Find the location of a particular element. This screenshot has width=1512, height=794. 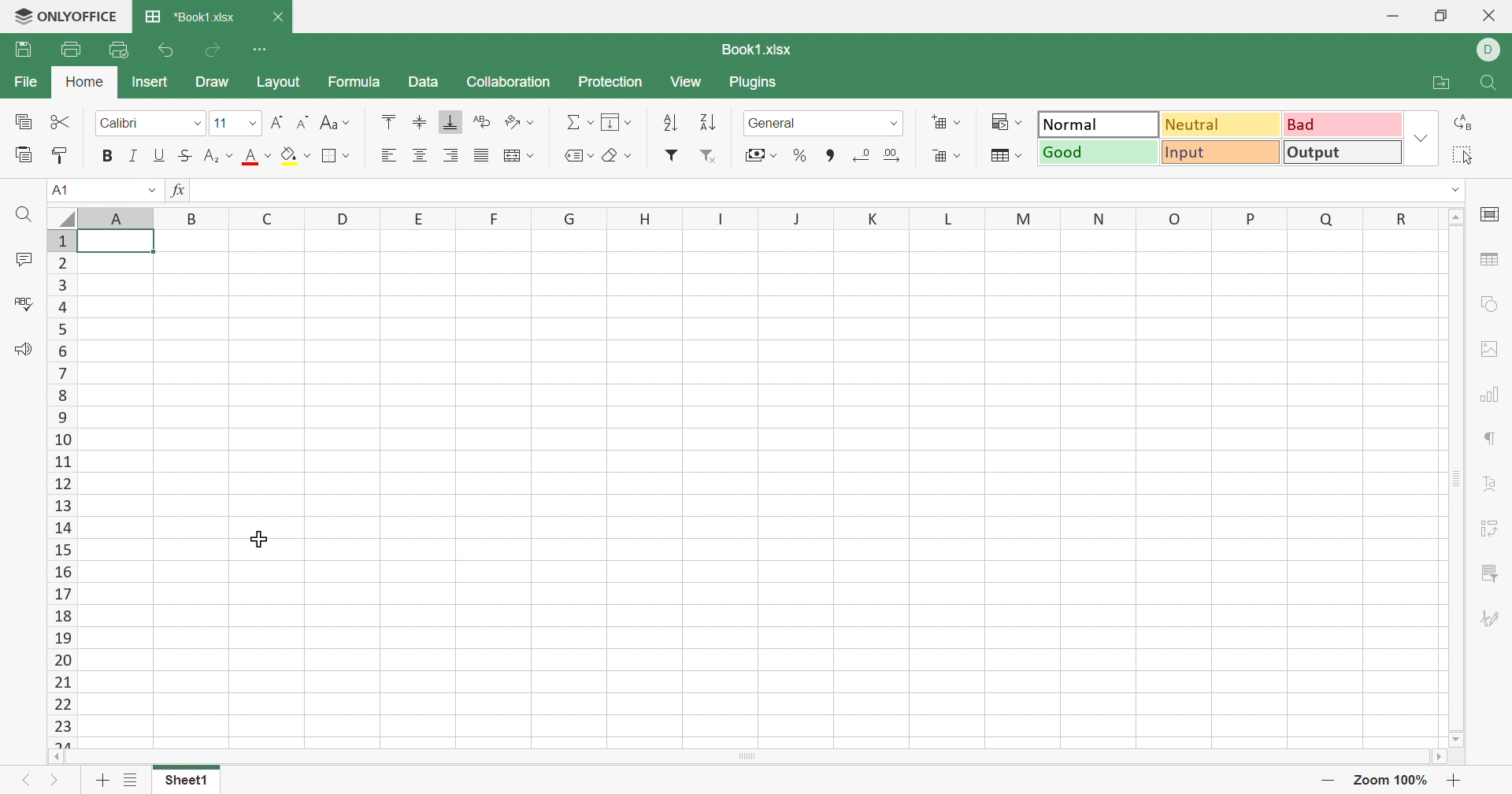

Align Top is located at coordinates (390, 122).